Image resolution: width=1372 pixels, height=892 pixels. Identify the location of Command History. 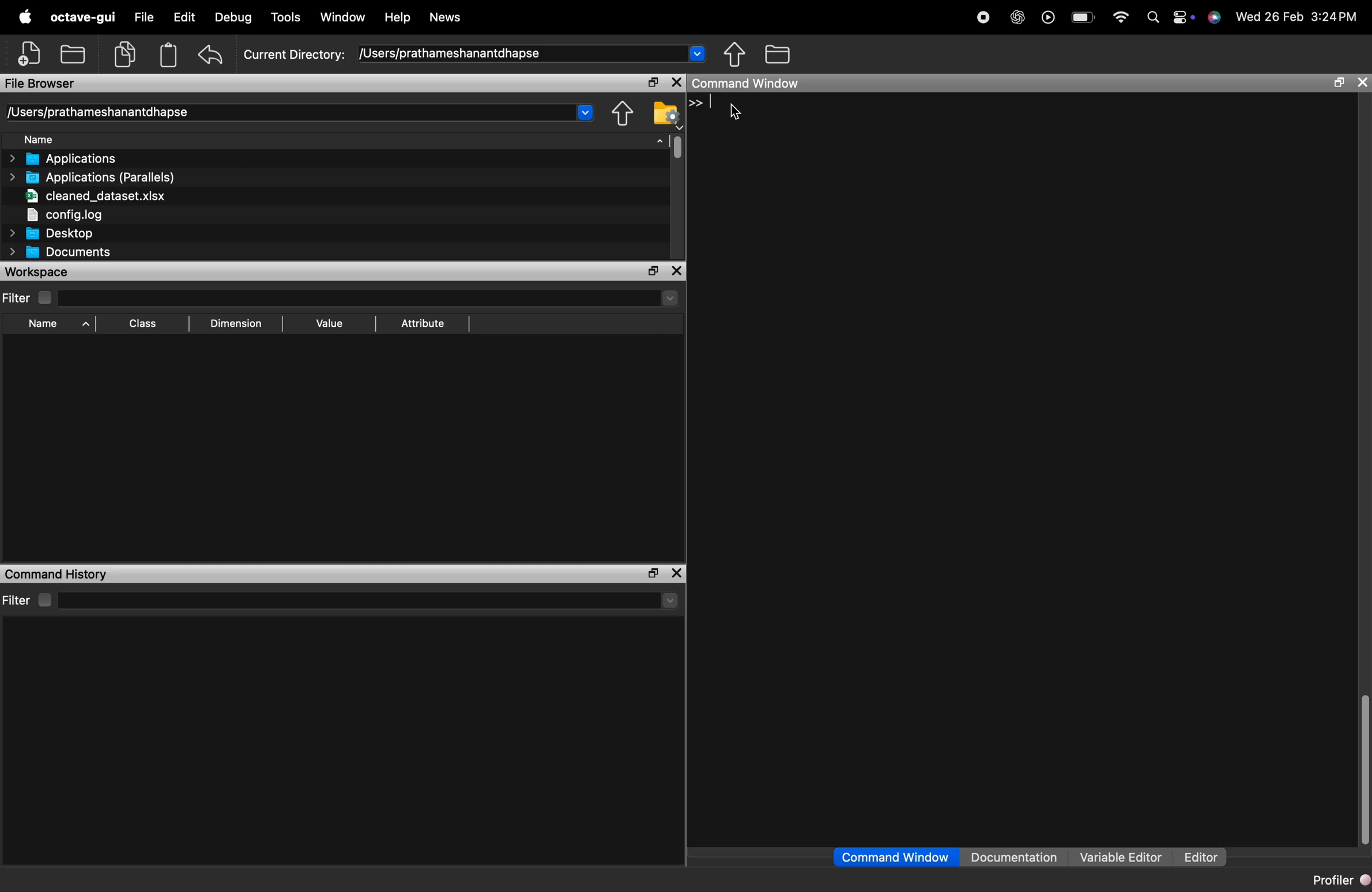
(56, 574).